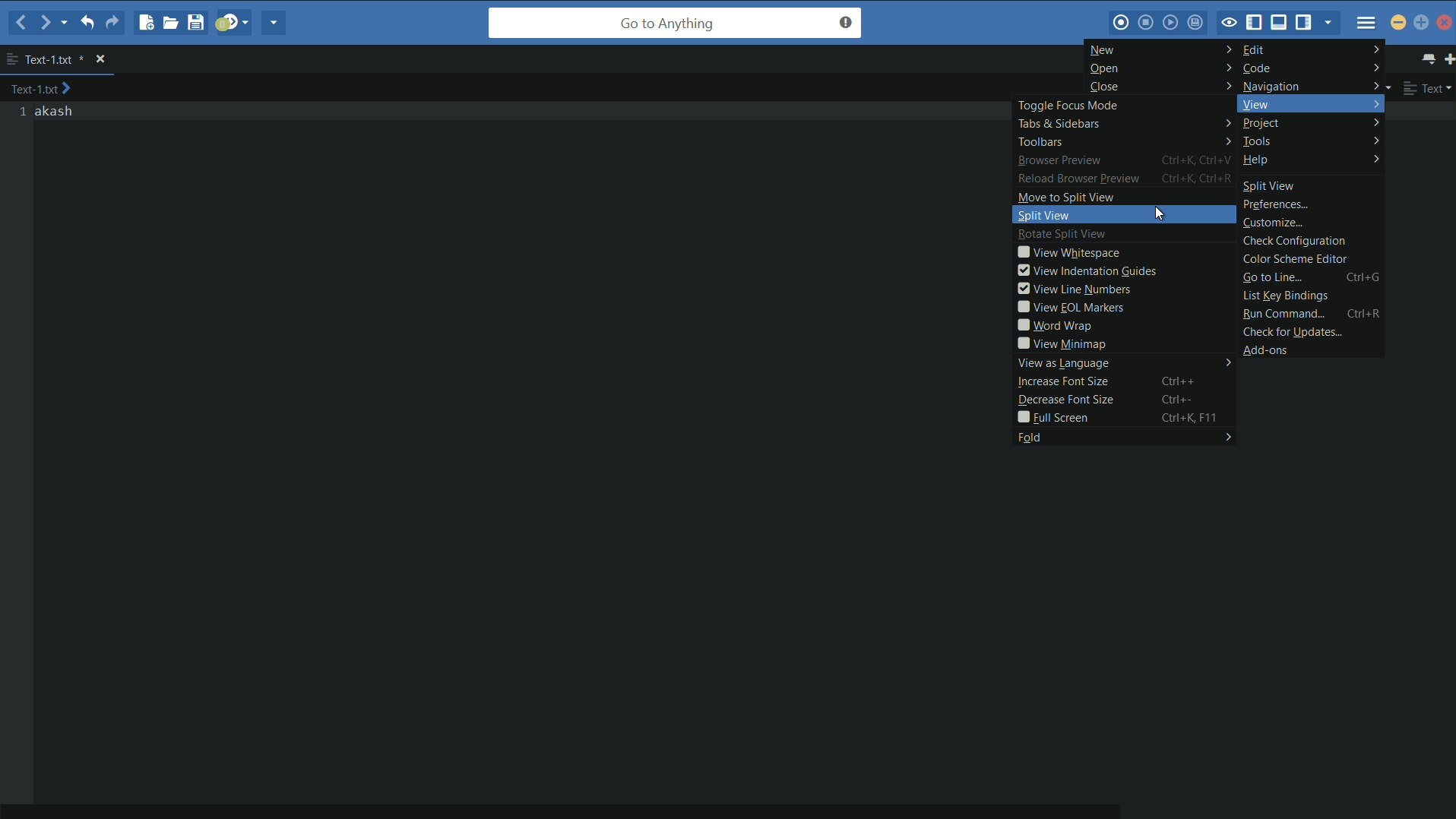  Describe the element at coordinates (1426, 58) in the screenshot. I see `show all tab` at that location.